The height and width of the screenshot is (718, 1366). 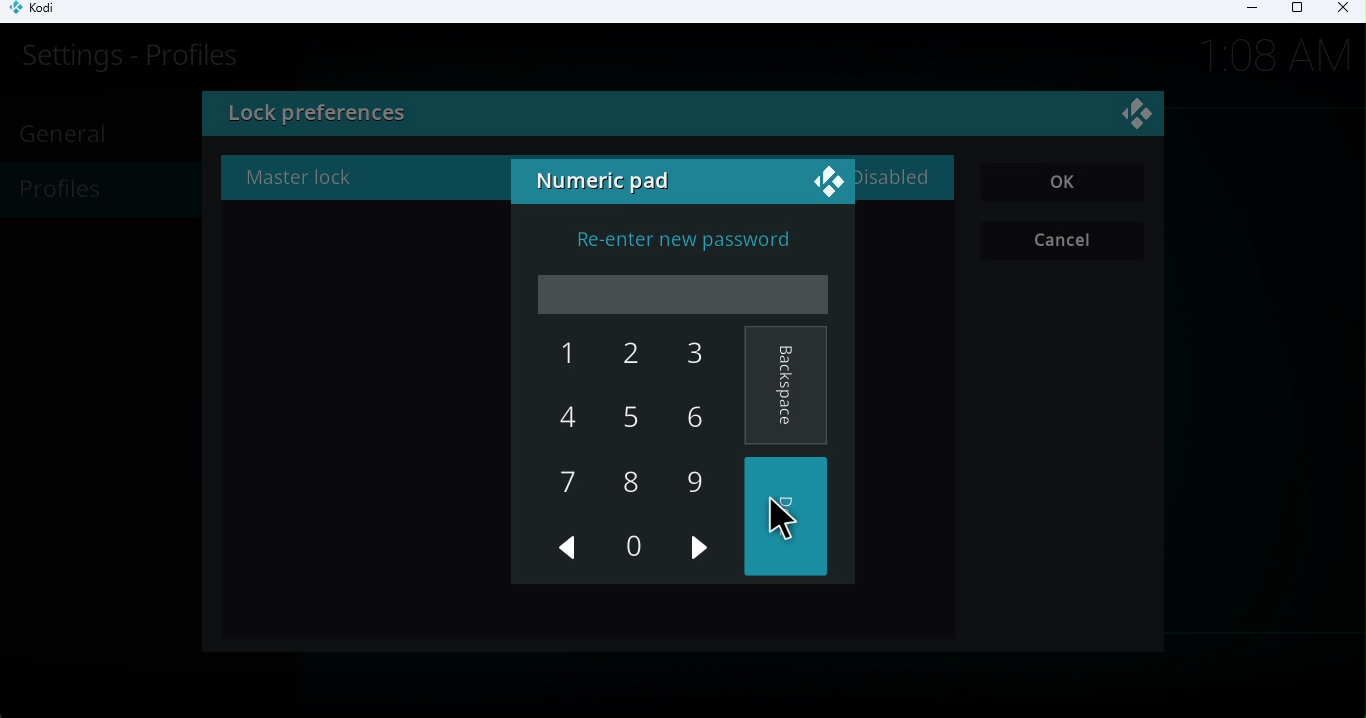 I want to click on Enter password, so click(x=687, y=295).